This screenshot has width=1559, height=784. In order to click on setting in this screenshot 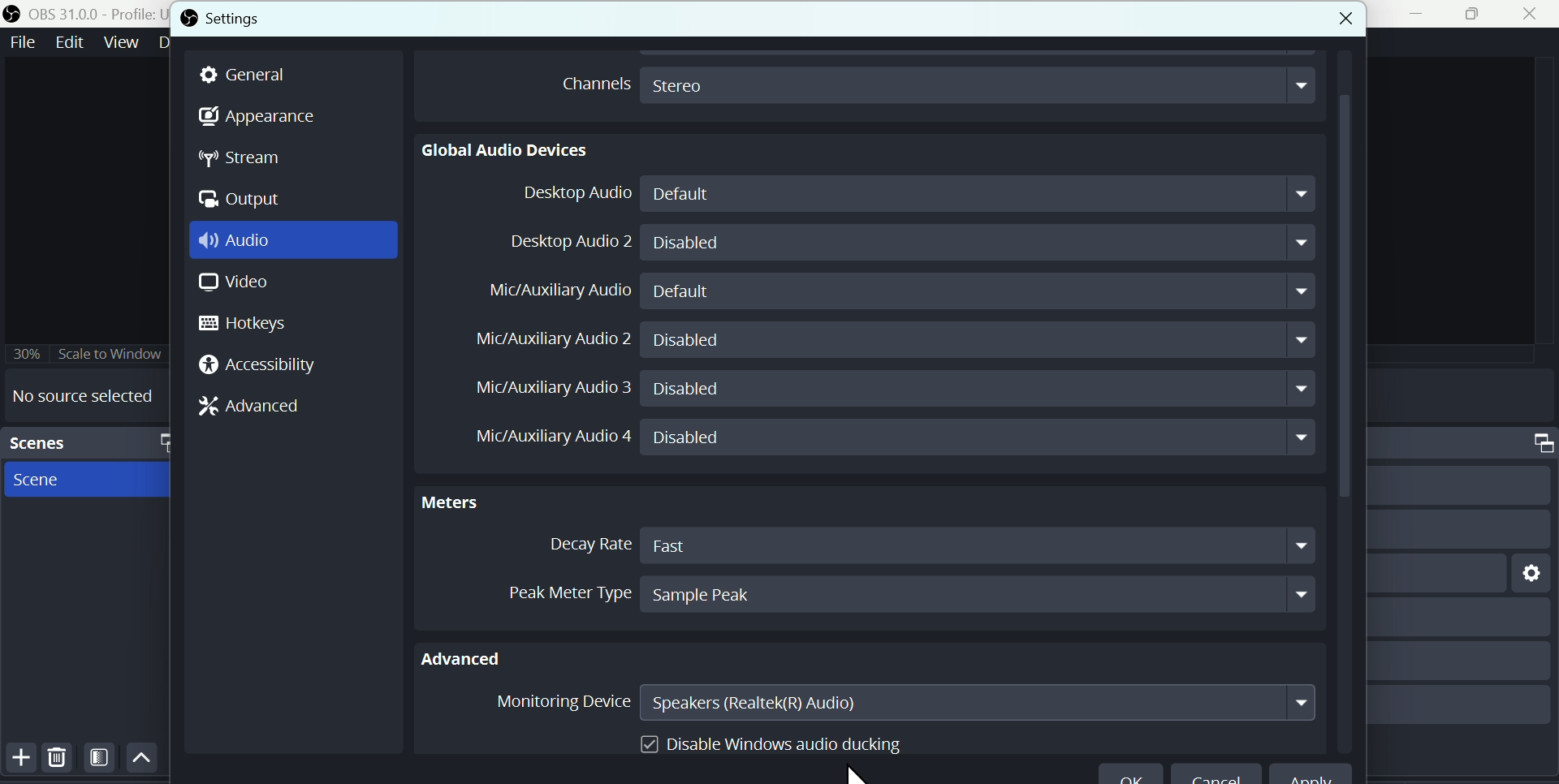, I will do `click(1527, 571)`.